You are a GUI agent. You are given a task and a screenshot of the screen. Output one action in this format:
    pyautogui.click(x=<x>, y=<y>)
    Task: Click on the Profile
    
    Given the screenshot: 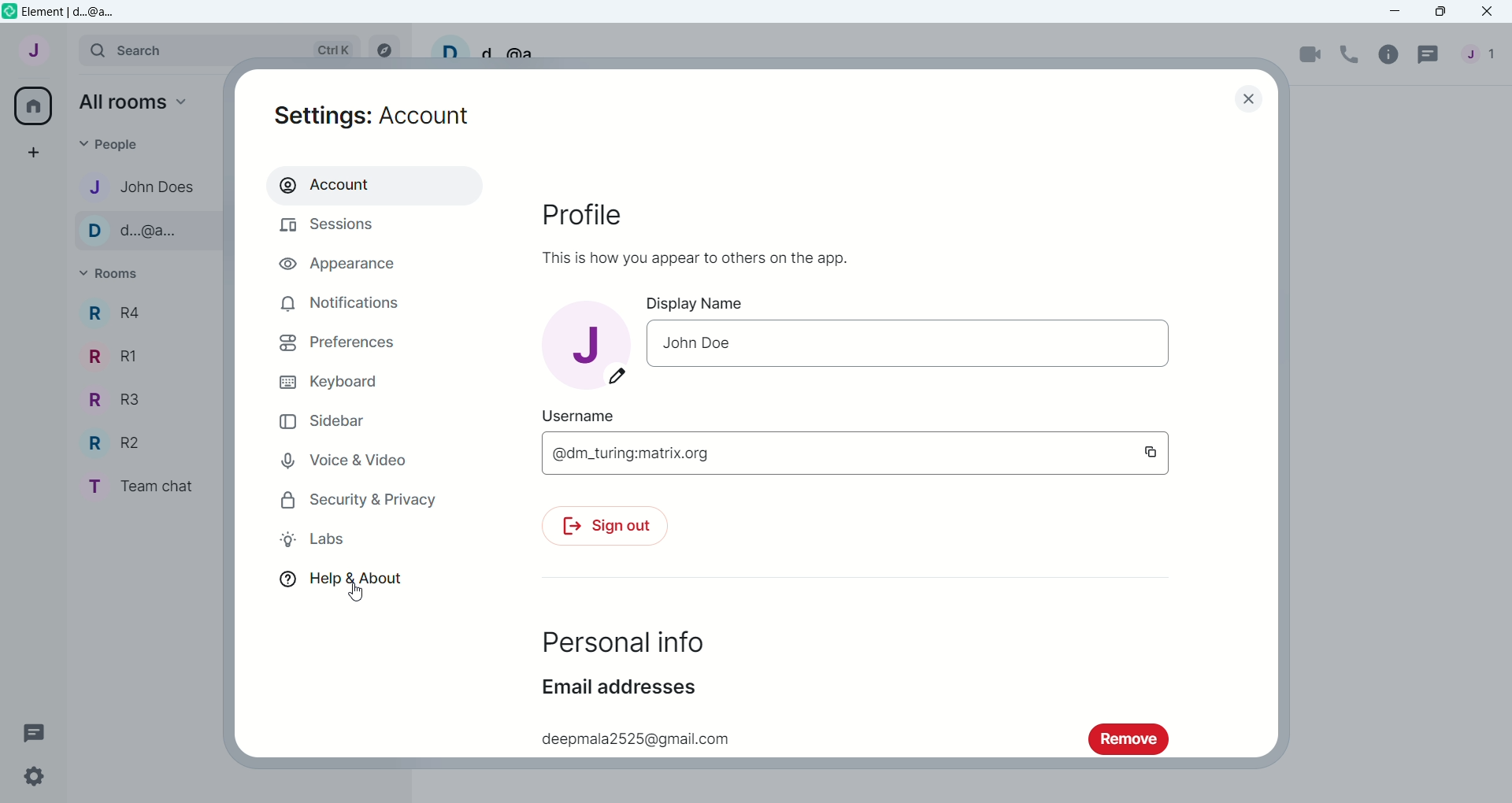 What is the action you would take?
    pyautogui.click(x=580, y=214)
    